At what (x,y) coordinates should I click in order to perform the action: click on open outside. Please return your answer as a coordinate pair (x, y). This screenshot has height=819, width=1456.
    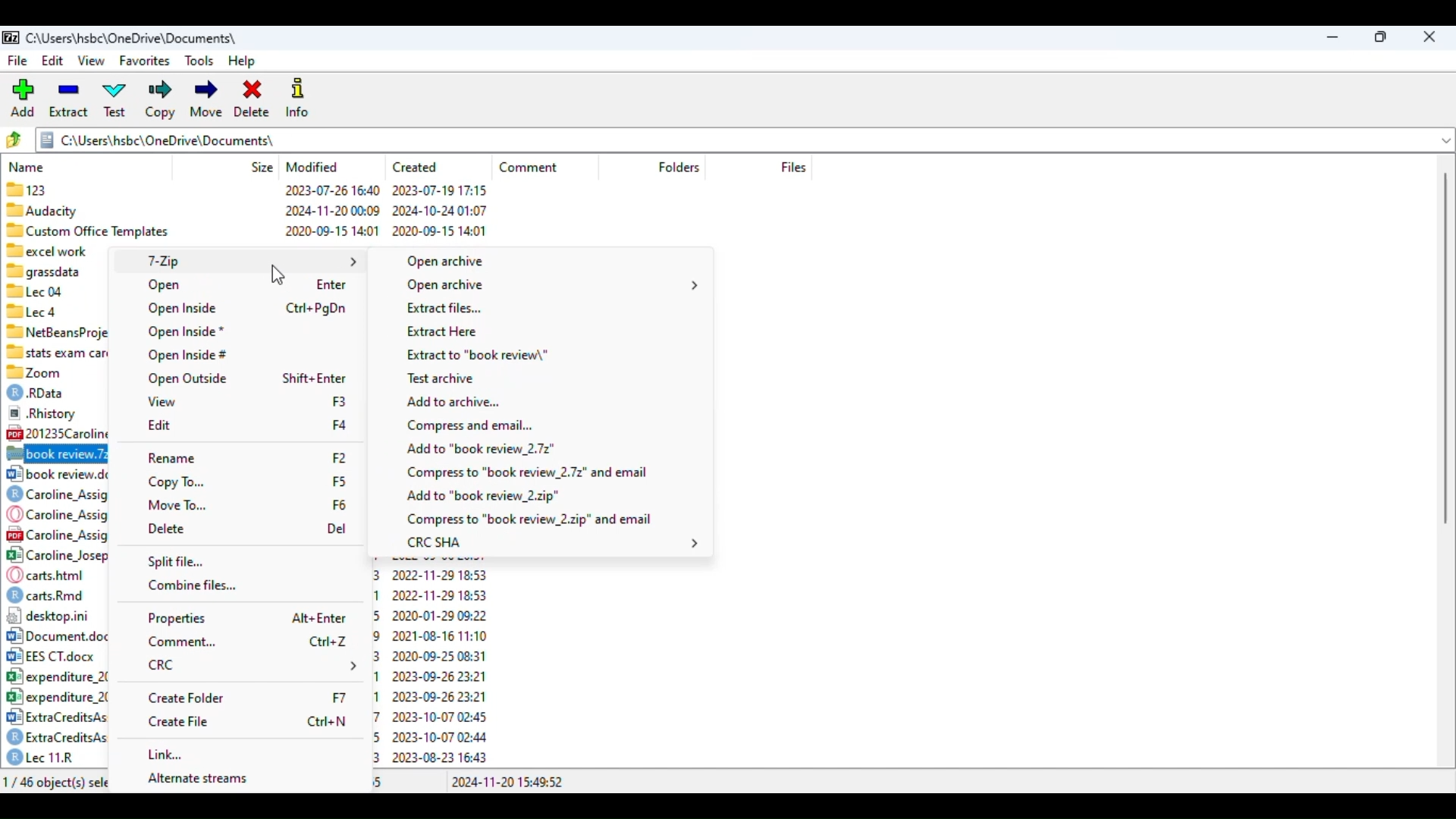
    Looking at the image, I should click on (187, 379).